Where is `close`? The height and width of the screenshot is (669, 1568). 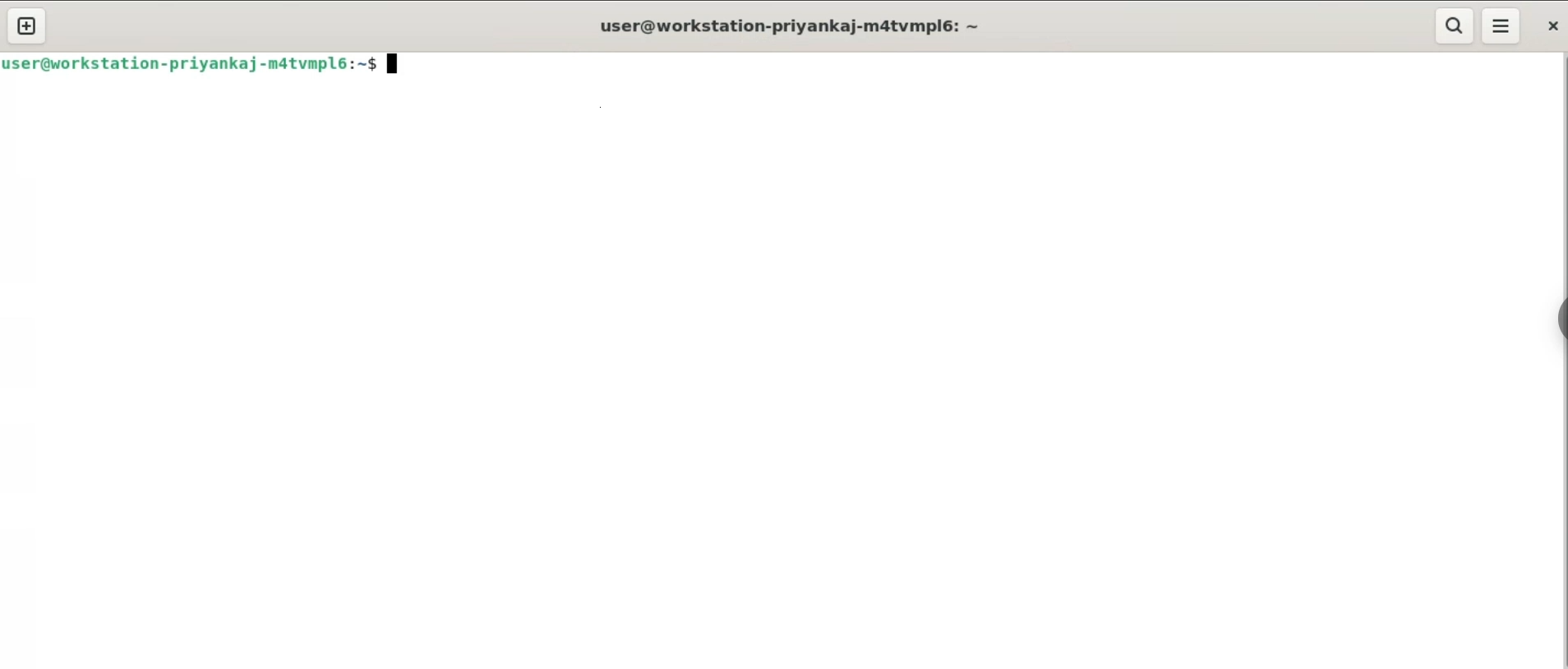
close is located at coordinates (1552, 25).